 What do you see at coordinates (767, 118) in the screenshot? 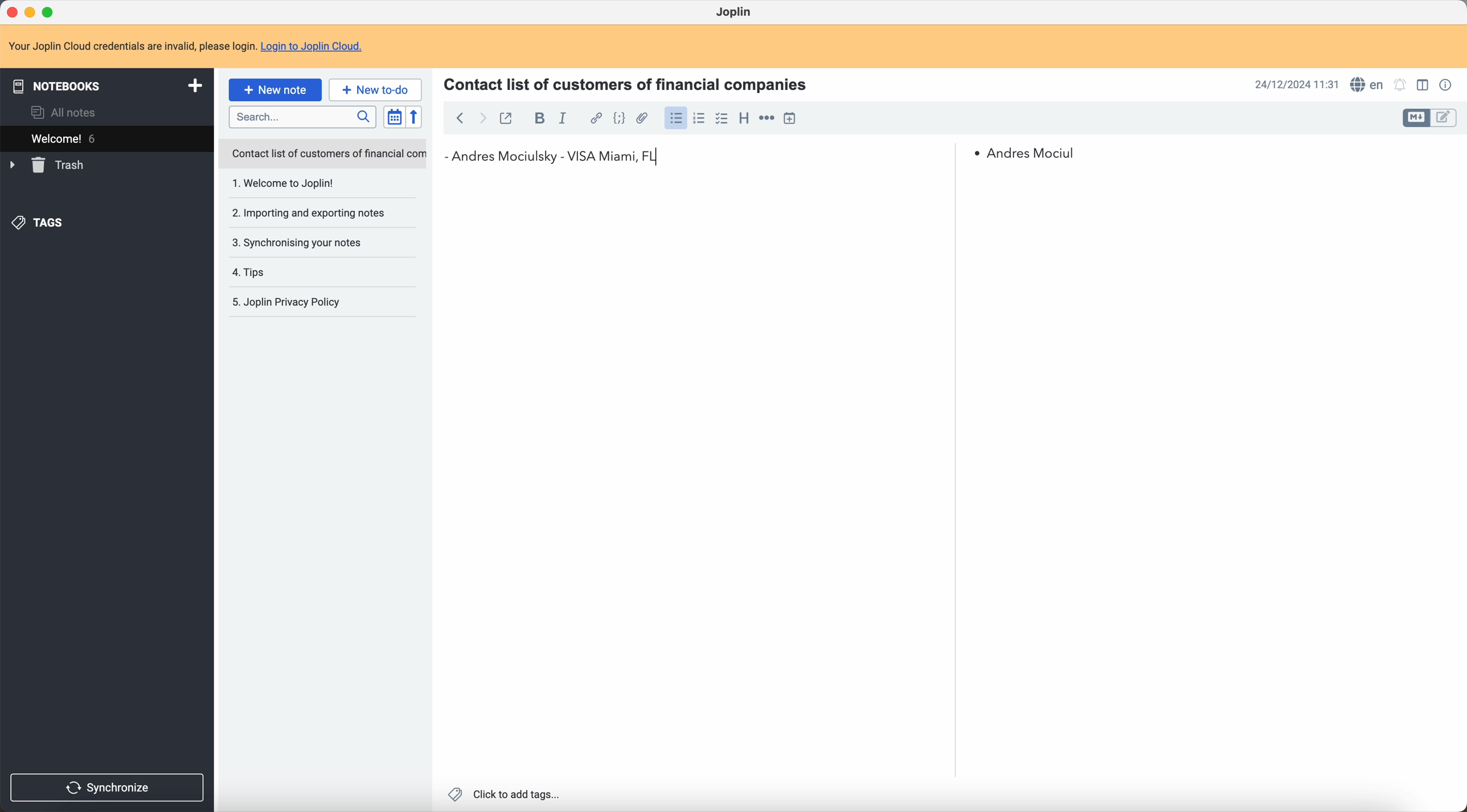
I see `horizontal rule` at bounding box center [767, 118].